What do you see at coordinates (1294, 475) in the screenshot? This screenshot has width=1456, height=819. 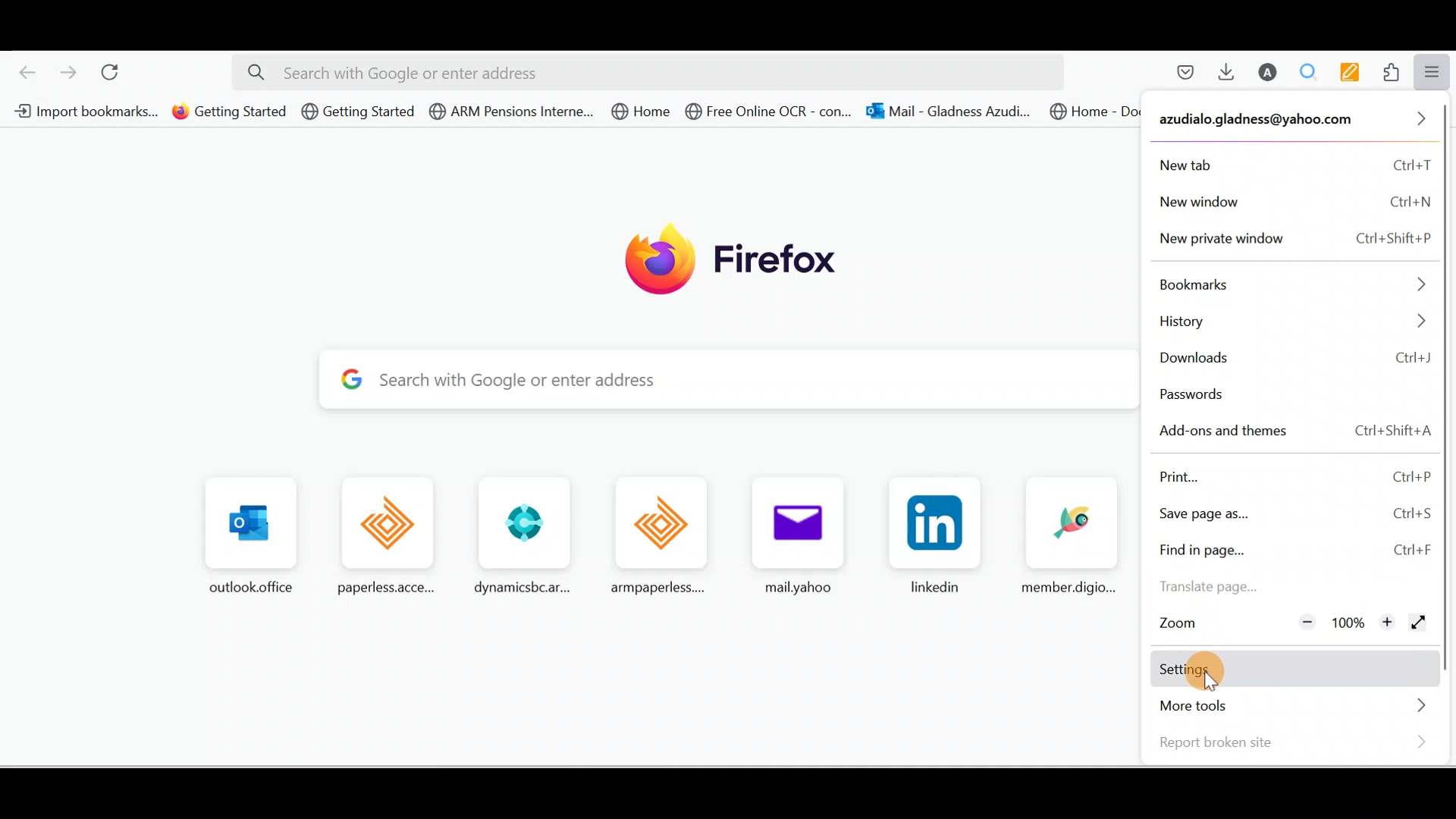 I see `Print` at bounding box center [1294, 475].